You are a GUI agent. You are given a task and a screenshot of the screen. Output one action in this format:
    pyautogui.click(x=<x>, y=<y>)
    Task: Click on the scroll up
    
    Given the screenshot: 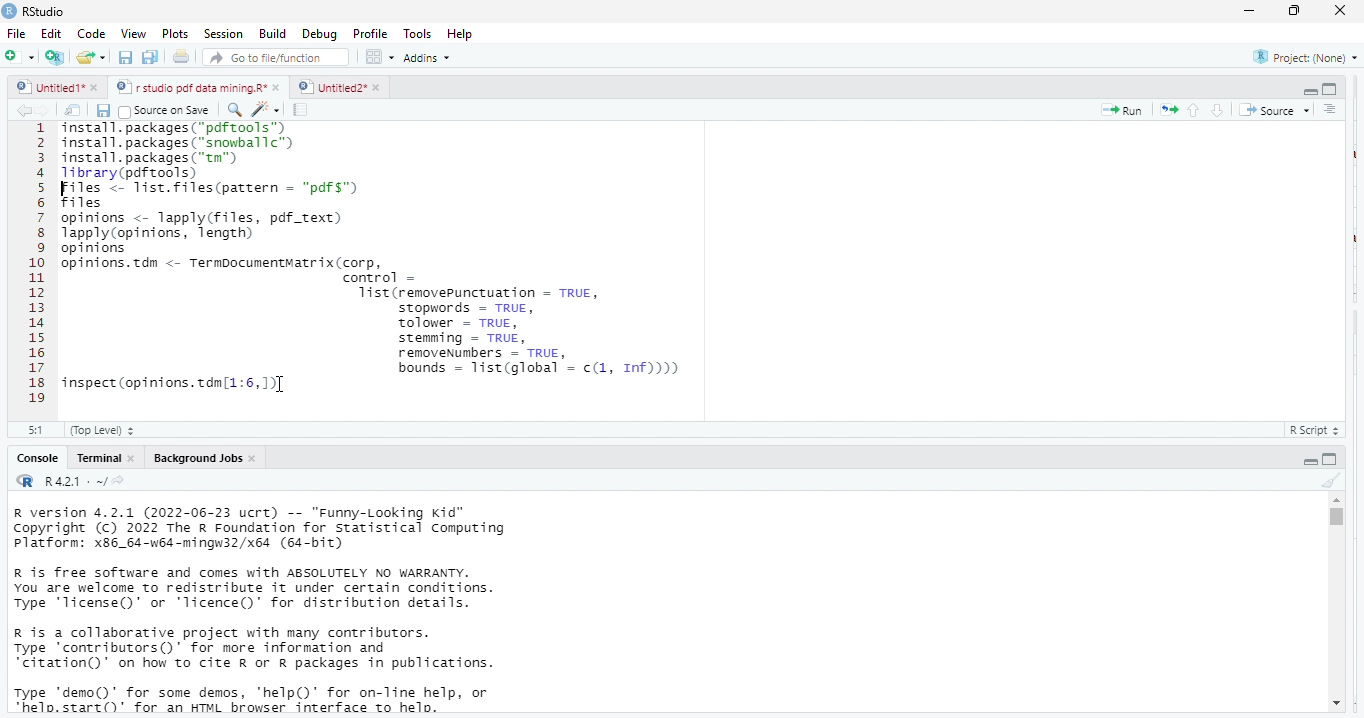 What is the action you would take?
    pyautogui.click(x=1336, y=500)
    